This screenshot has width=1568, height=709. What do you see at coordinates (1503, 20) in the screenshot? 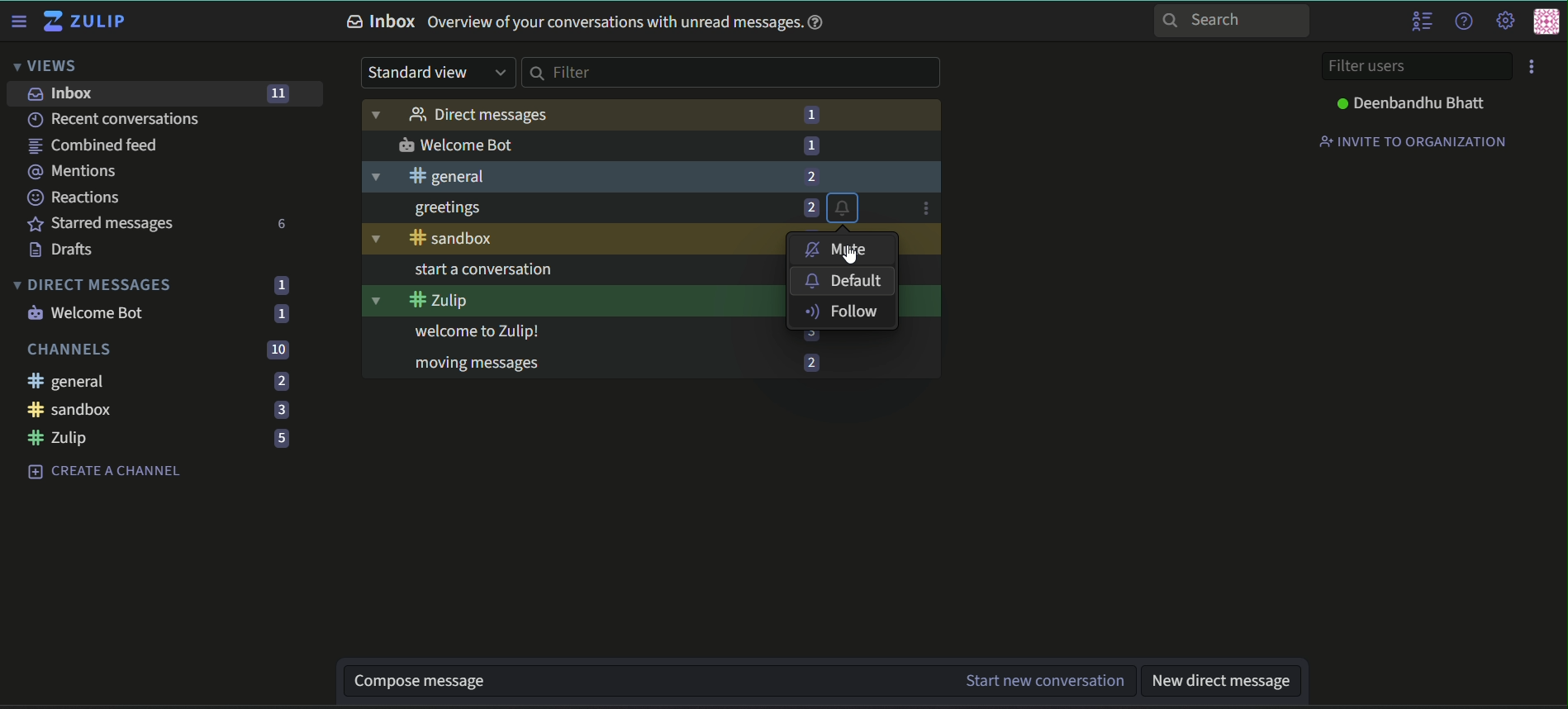
I see `main menu` at bounding box center [1503, 20].